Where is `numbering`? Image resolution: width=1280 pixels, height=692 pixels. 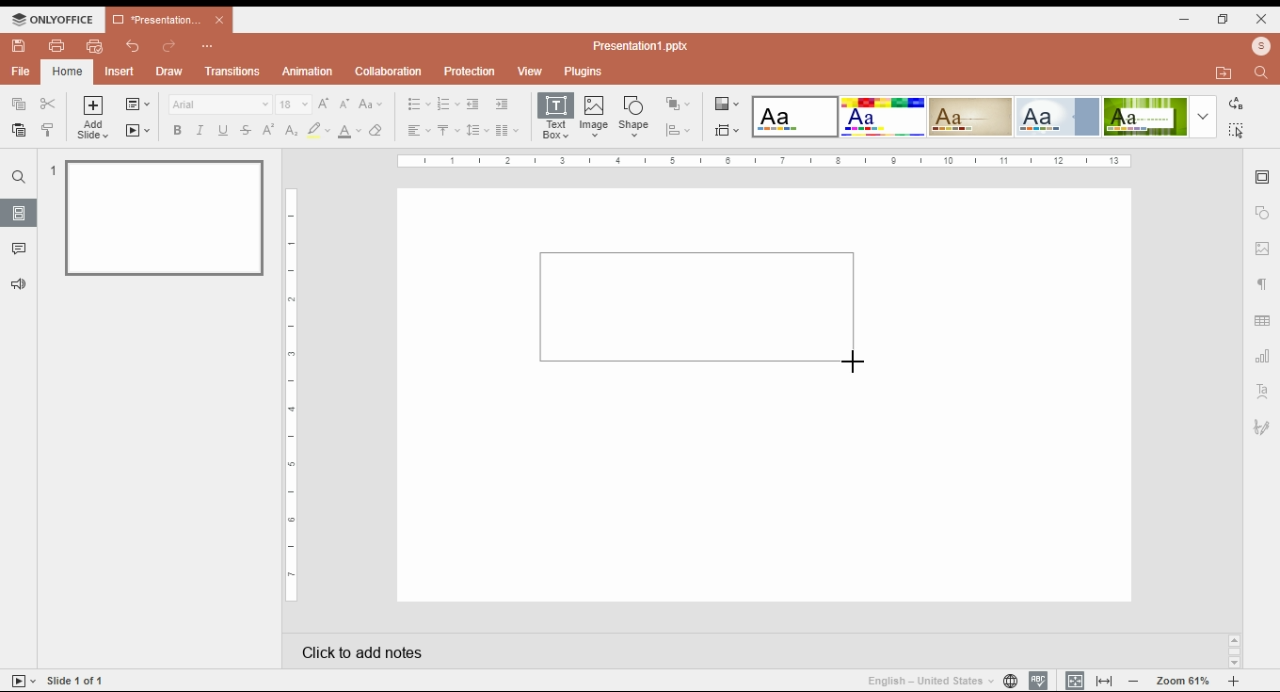
numbering is located at coordinates (448, 104).